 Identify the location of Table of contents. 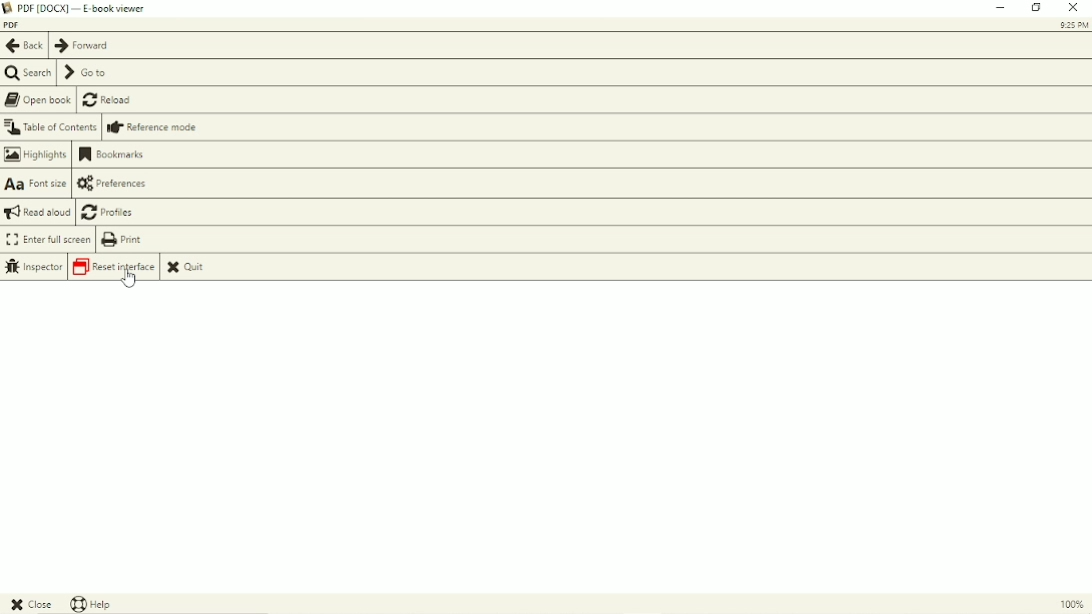
(50, 127).